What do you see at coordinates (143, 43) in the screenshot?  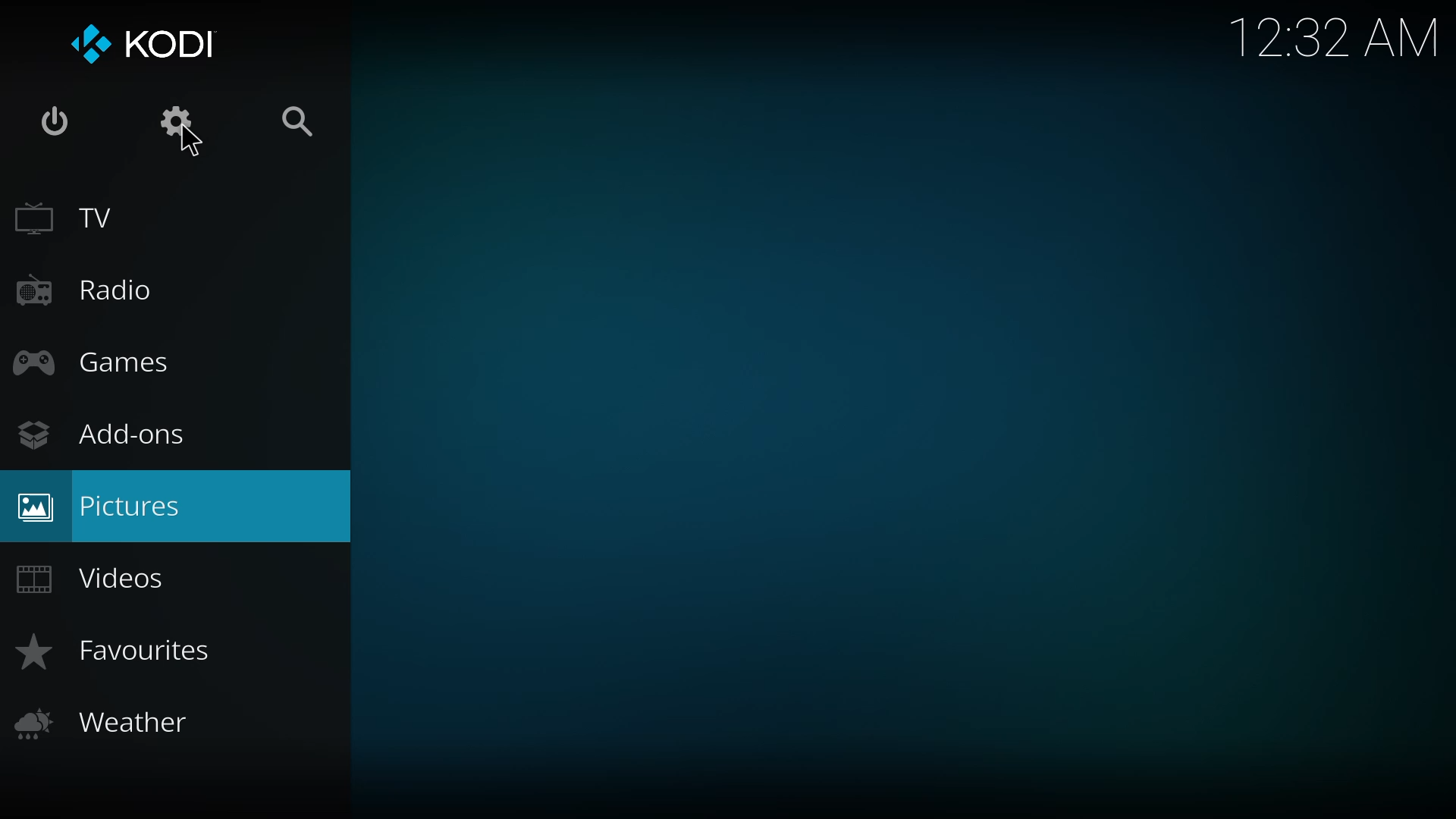 I see `kodi` at bounding box center [143, 43].